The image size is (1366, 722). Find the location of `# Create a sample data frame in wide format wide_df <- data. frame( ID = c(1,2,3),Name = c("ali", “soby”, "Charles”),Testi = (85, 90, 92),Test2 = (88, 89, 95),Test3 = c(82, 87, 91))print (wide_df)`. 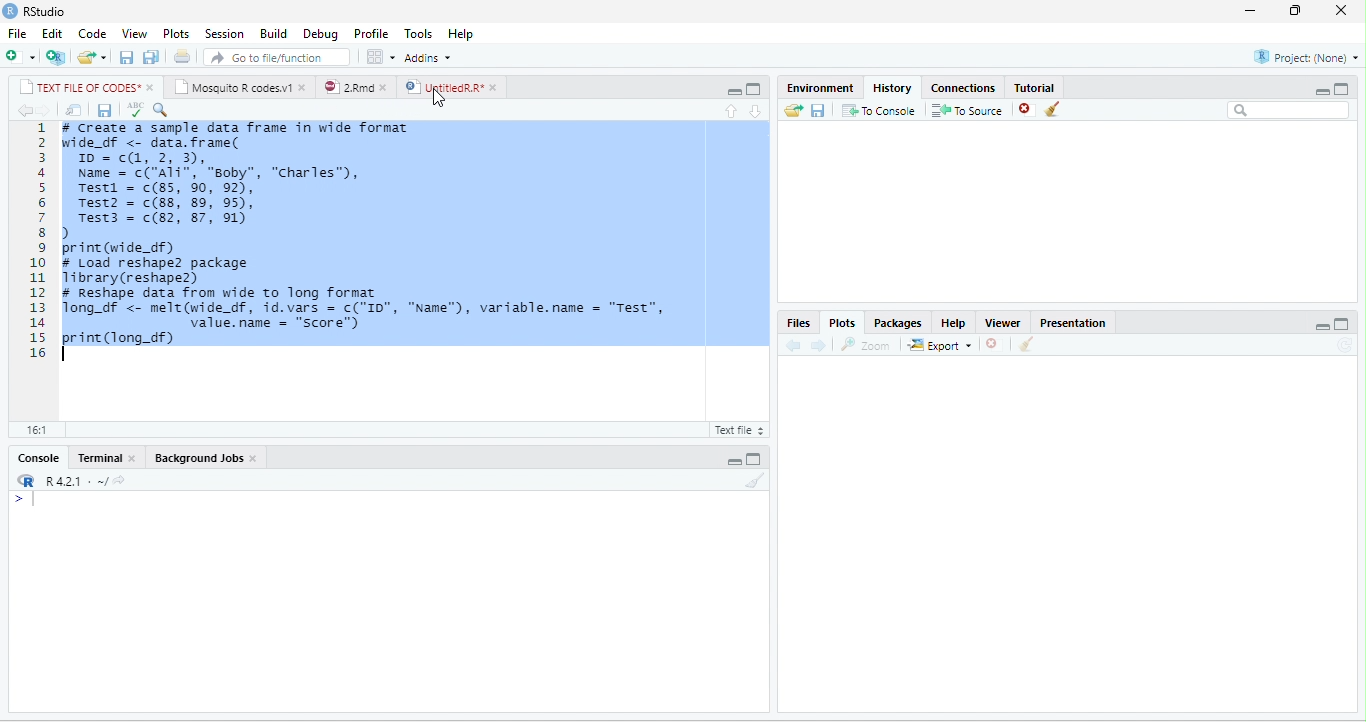

# Create a sample data frame in wide format wide_df <- data. frame( ID = c(1,2,3),Name = c("ali", “soby”, "Charles”),Testi = (85, 90, 92),Test2 = (88, 89, 95),Test3 = c(82, 87, 91))print (wide_df) is located at coordinates (235, 188).